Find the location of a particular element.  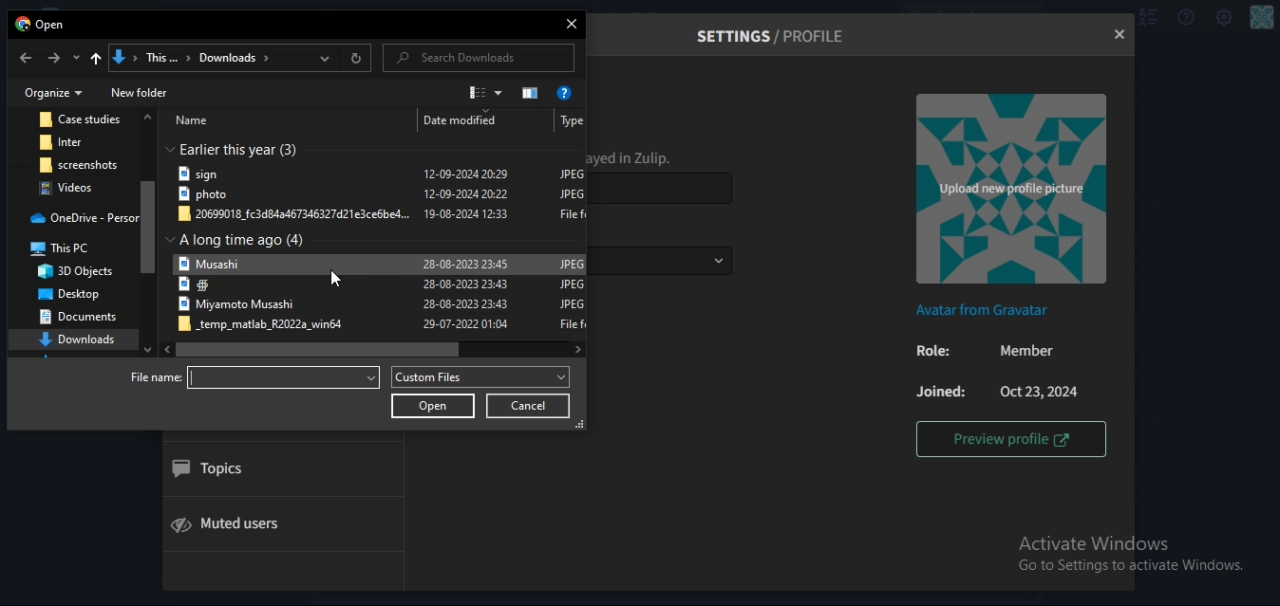

location is located at coordinates (208, 59).